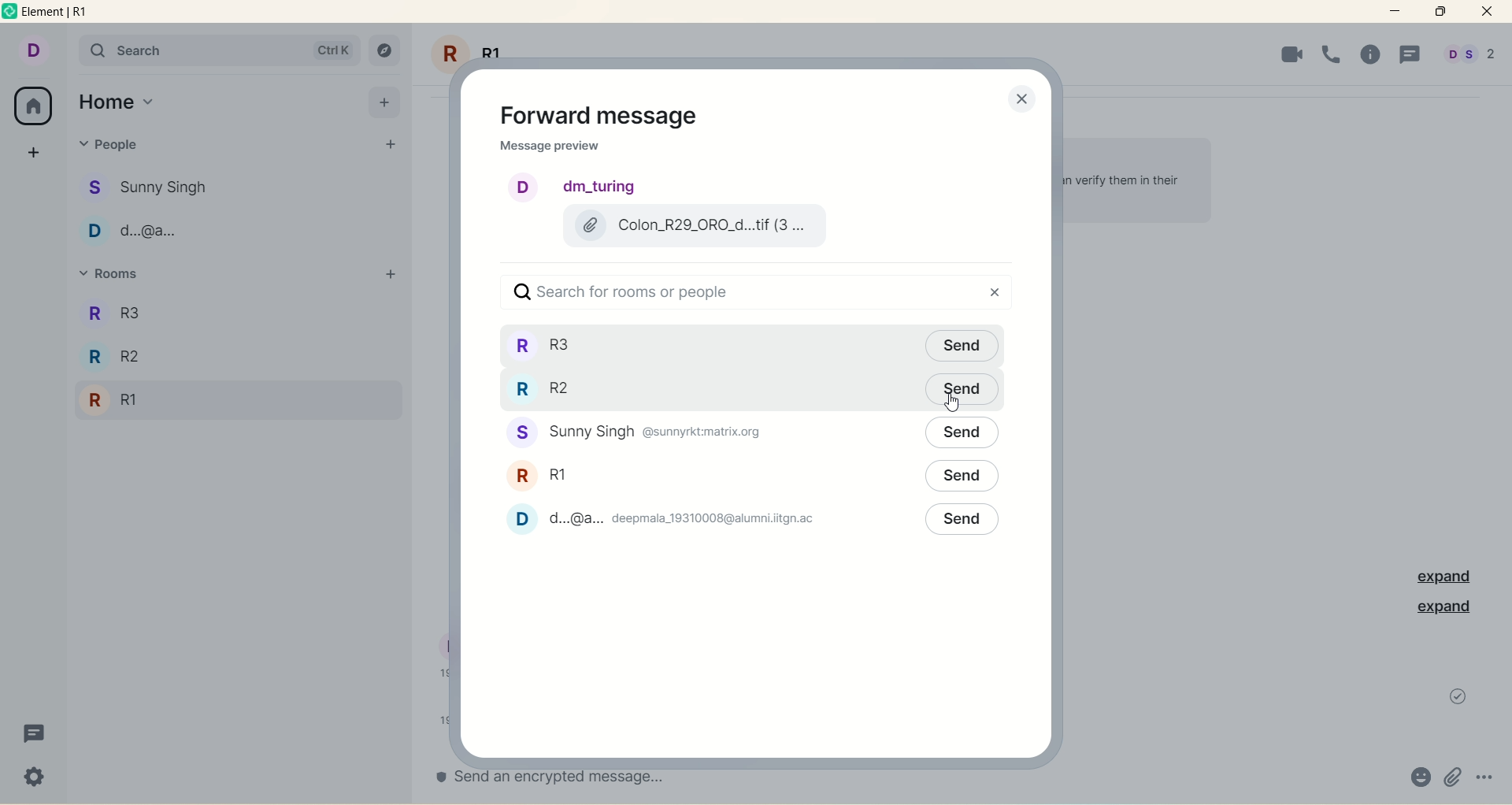  I want to click on R2, so click(551, 388).